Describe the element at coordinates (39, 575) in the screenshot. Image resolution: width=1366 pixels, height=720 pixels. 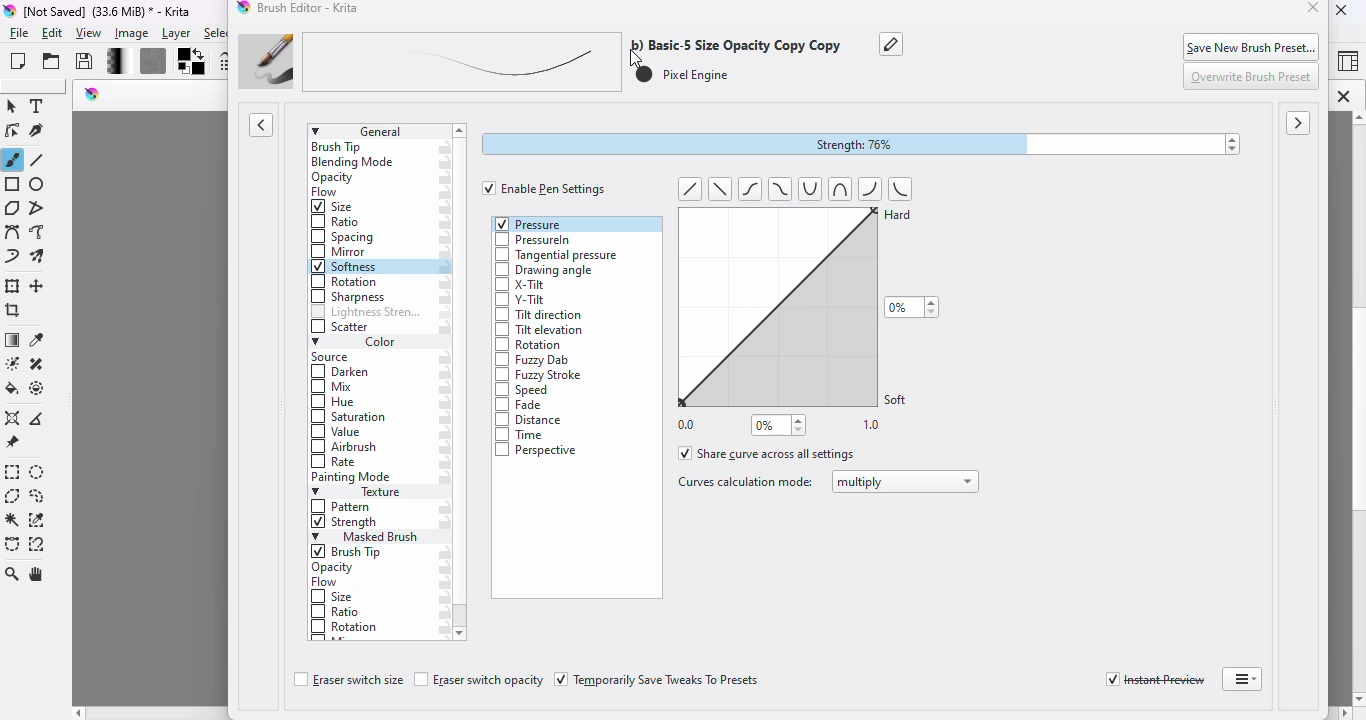
I see `pan tool` at that location.